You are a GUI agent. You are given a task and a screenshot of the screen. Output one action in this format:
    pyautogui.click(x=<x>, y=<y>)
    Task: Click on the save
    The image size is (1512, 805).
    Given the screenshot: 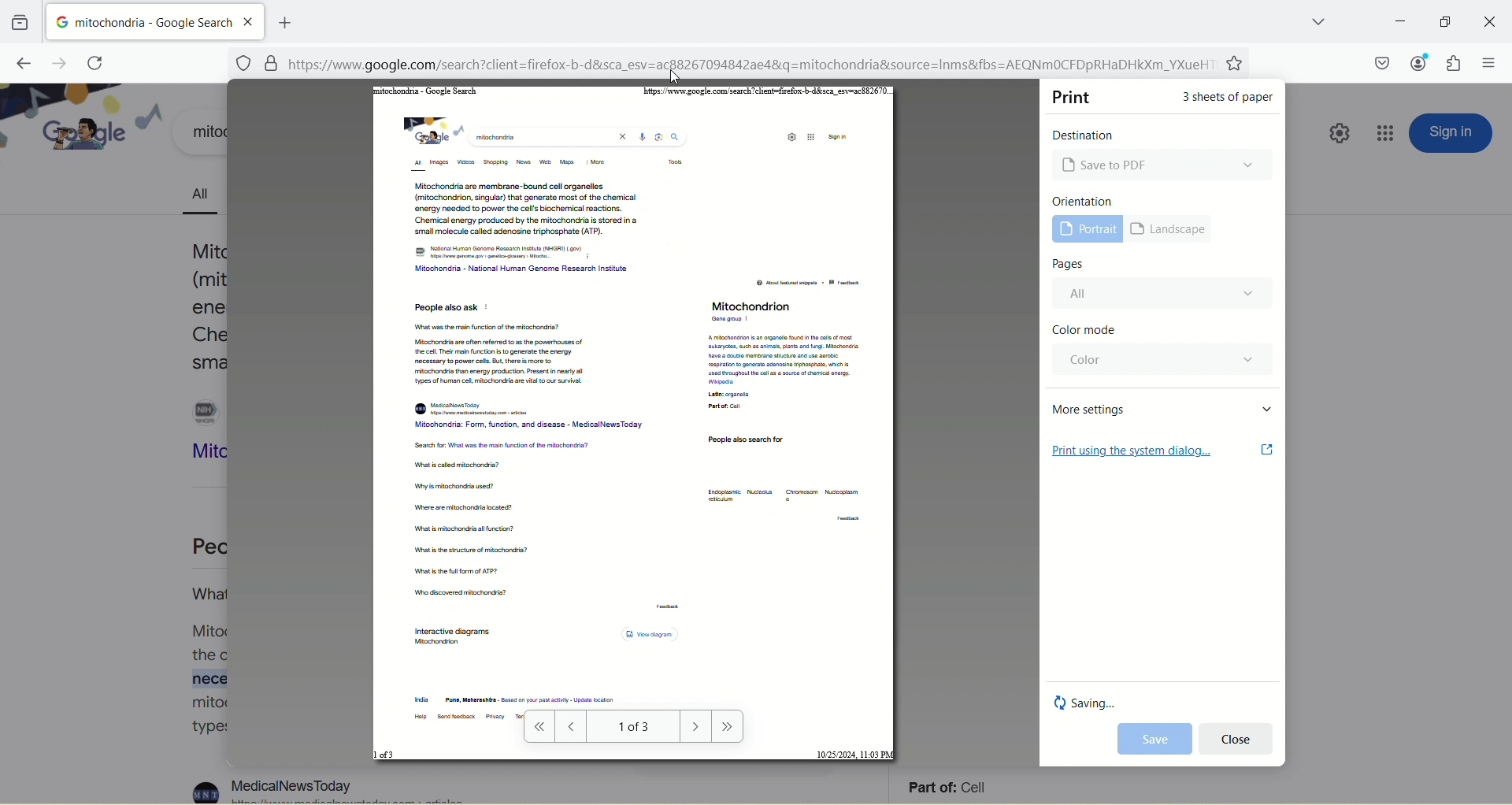 What is the action you would take?
    pyautogui.click(x=1152, y=740)
    